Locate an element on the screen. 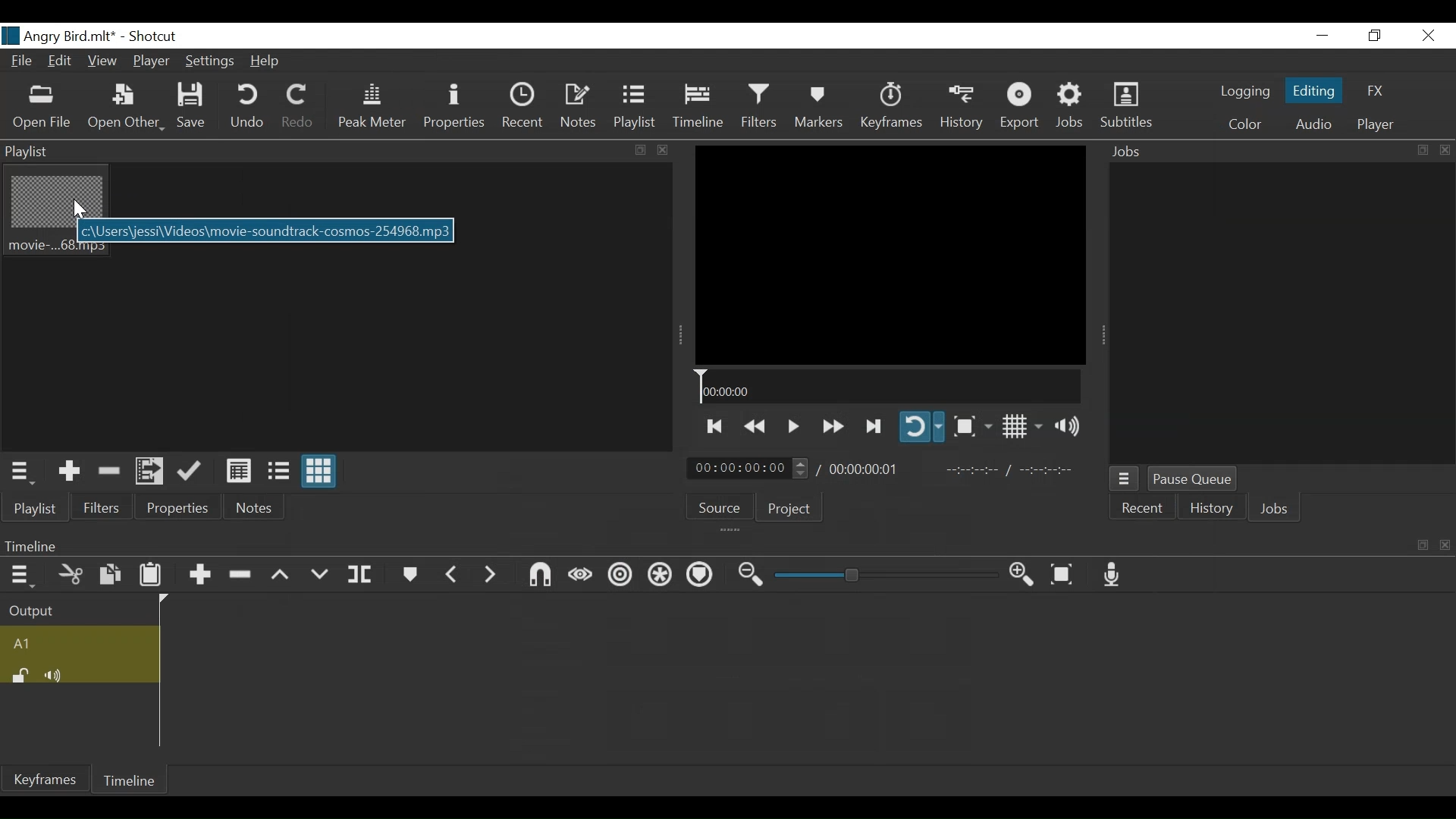  Keyframes is located at coordinates (890, 106).